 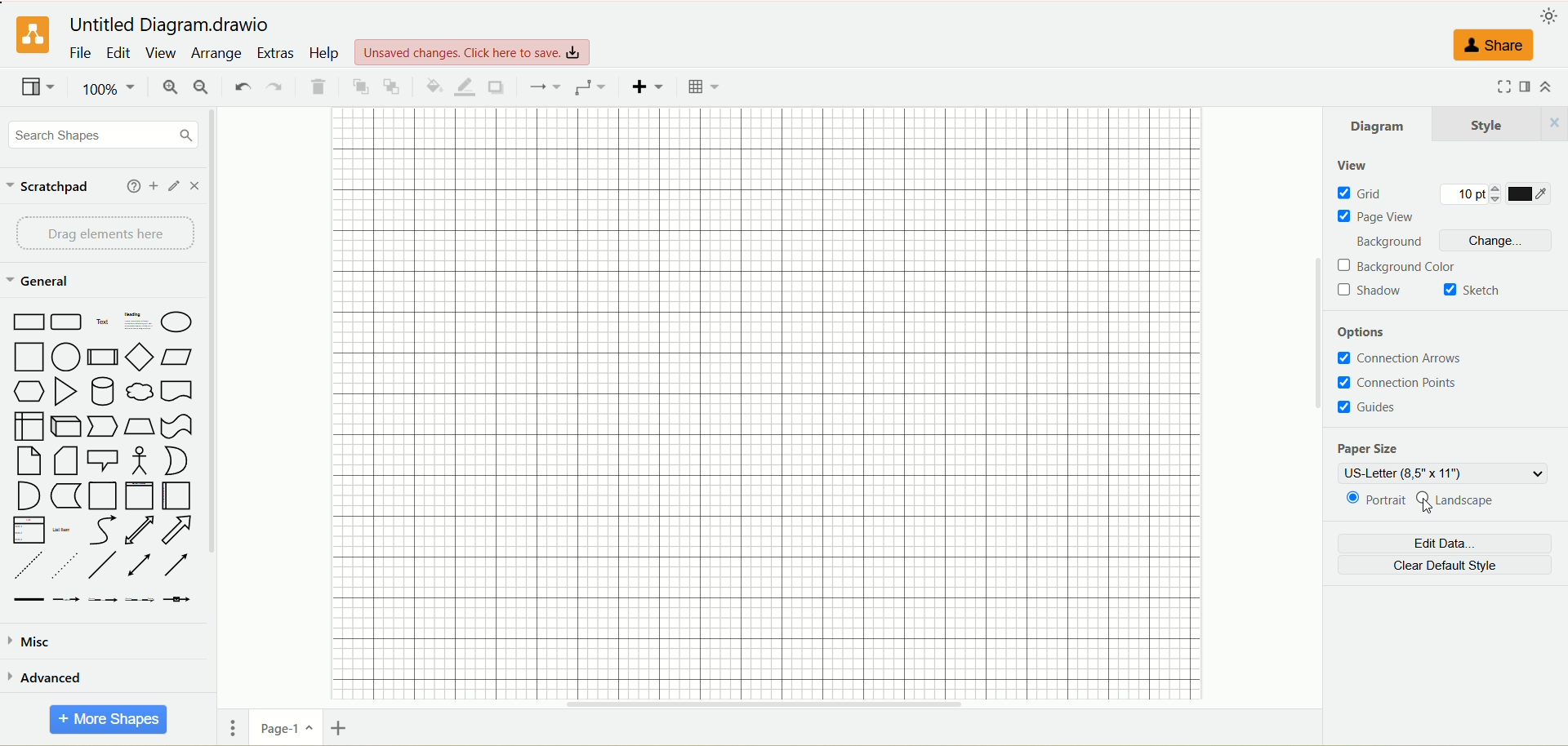 I want to click on shadow, so click(x=1372, y=291).